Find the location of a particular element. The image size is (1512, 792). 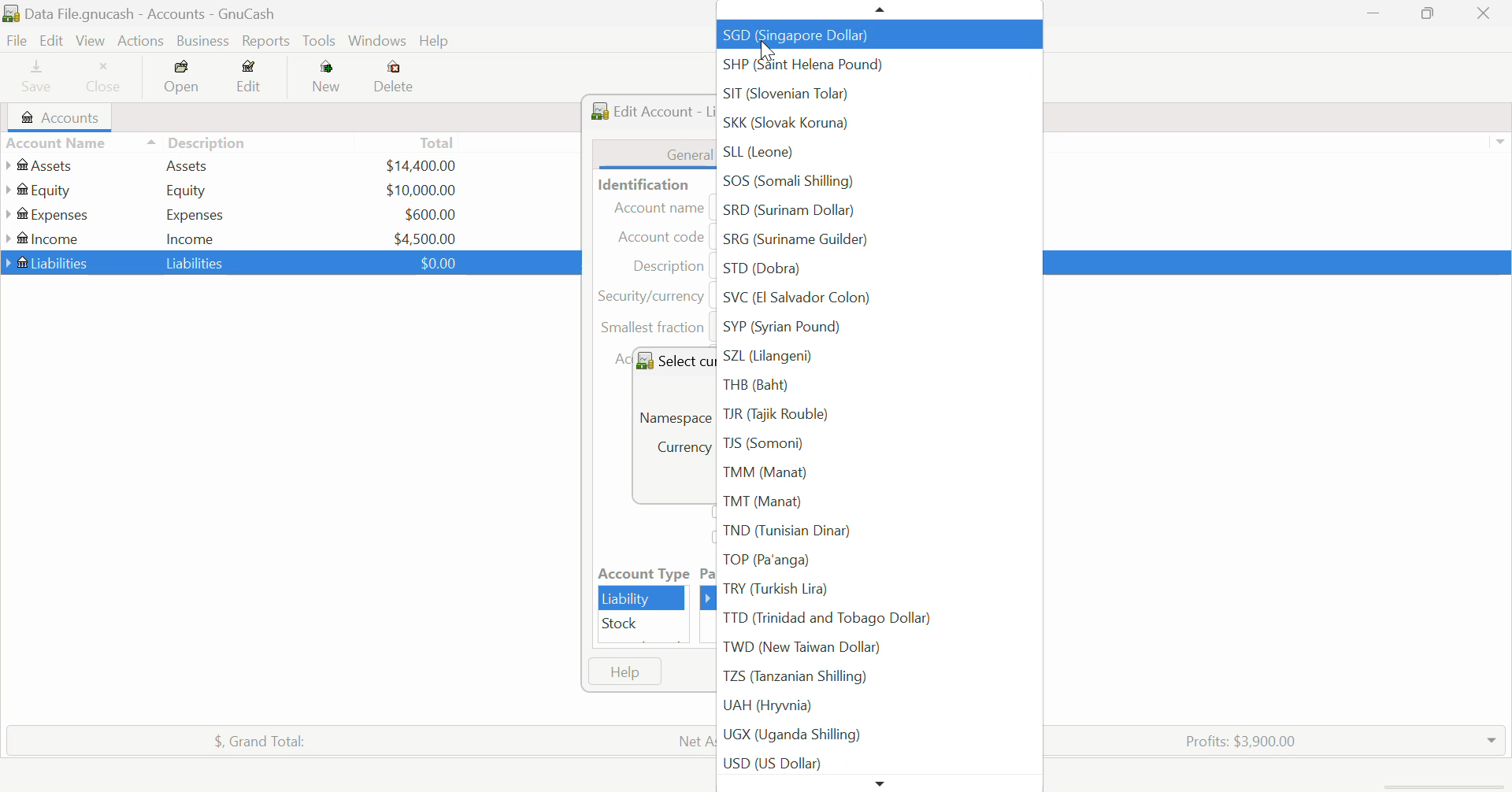

Expenses Account is located at coordinates (46, 214).